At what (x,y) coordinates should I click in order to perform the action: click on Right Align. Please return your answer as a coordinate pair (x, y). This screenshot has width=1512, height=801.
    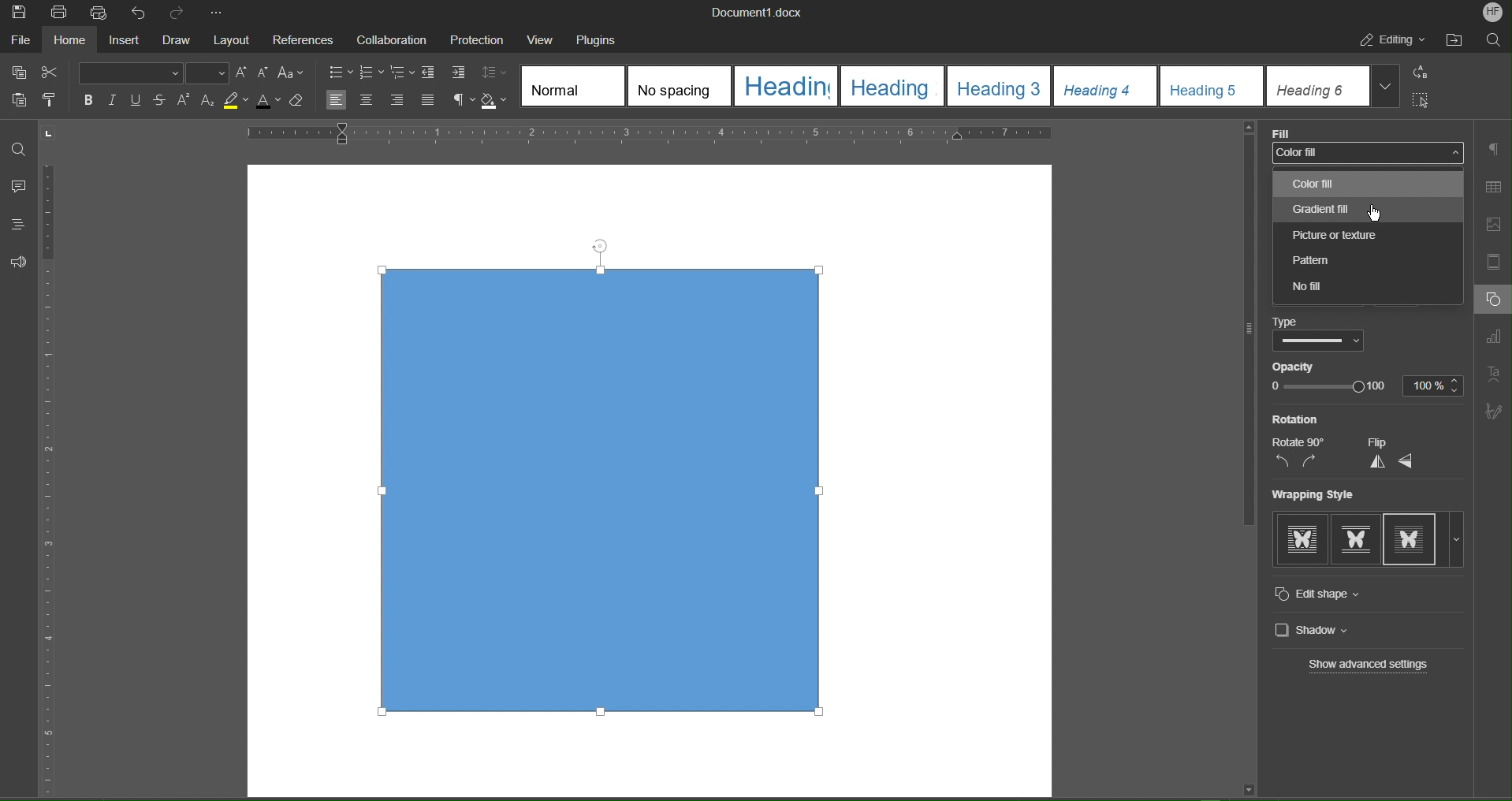
    Looking at the image, I should click on (399, 101).